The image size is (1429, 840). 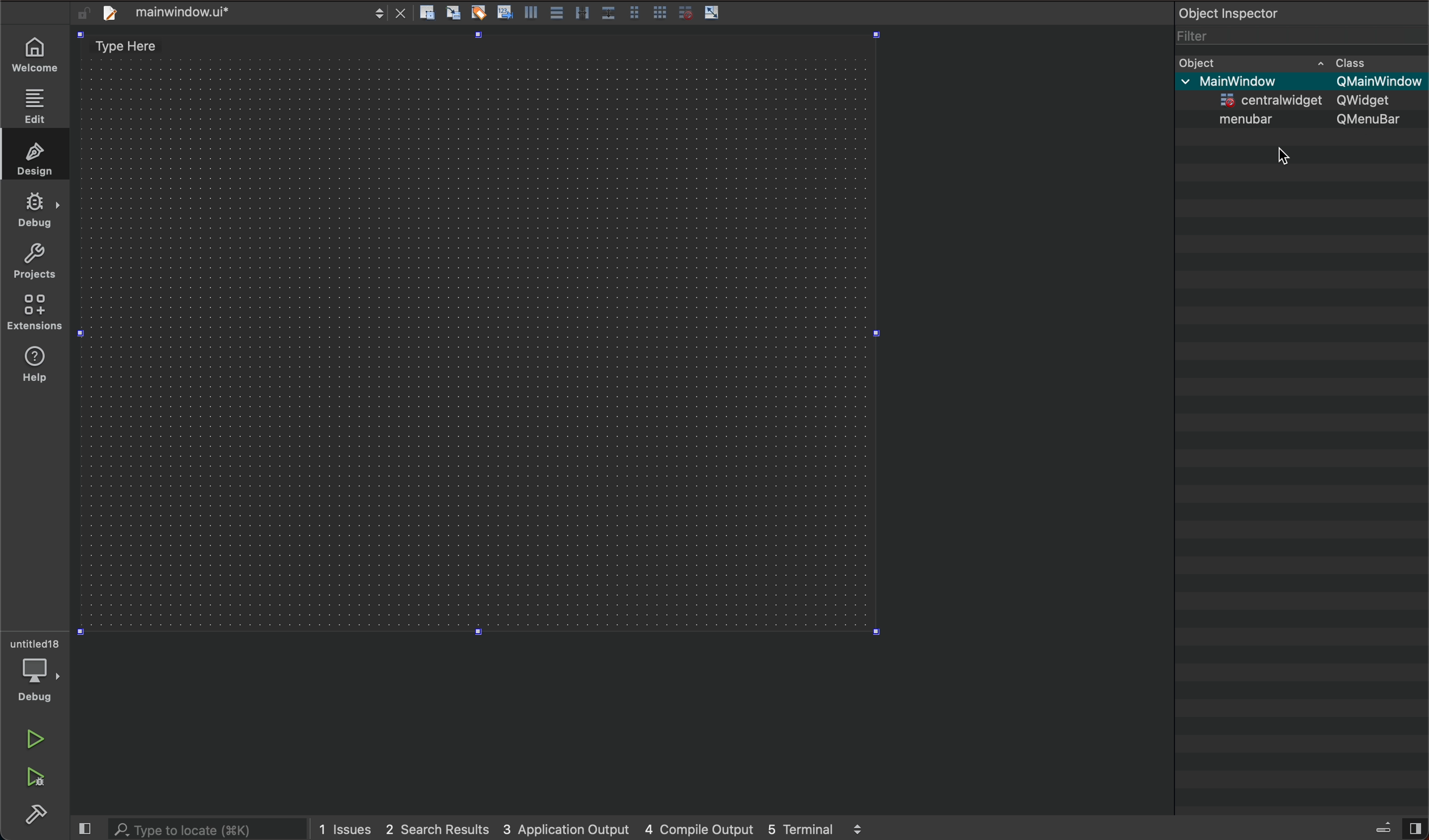 I want to click on menubar Qmenubar, so click(x=1312, y=120).